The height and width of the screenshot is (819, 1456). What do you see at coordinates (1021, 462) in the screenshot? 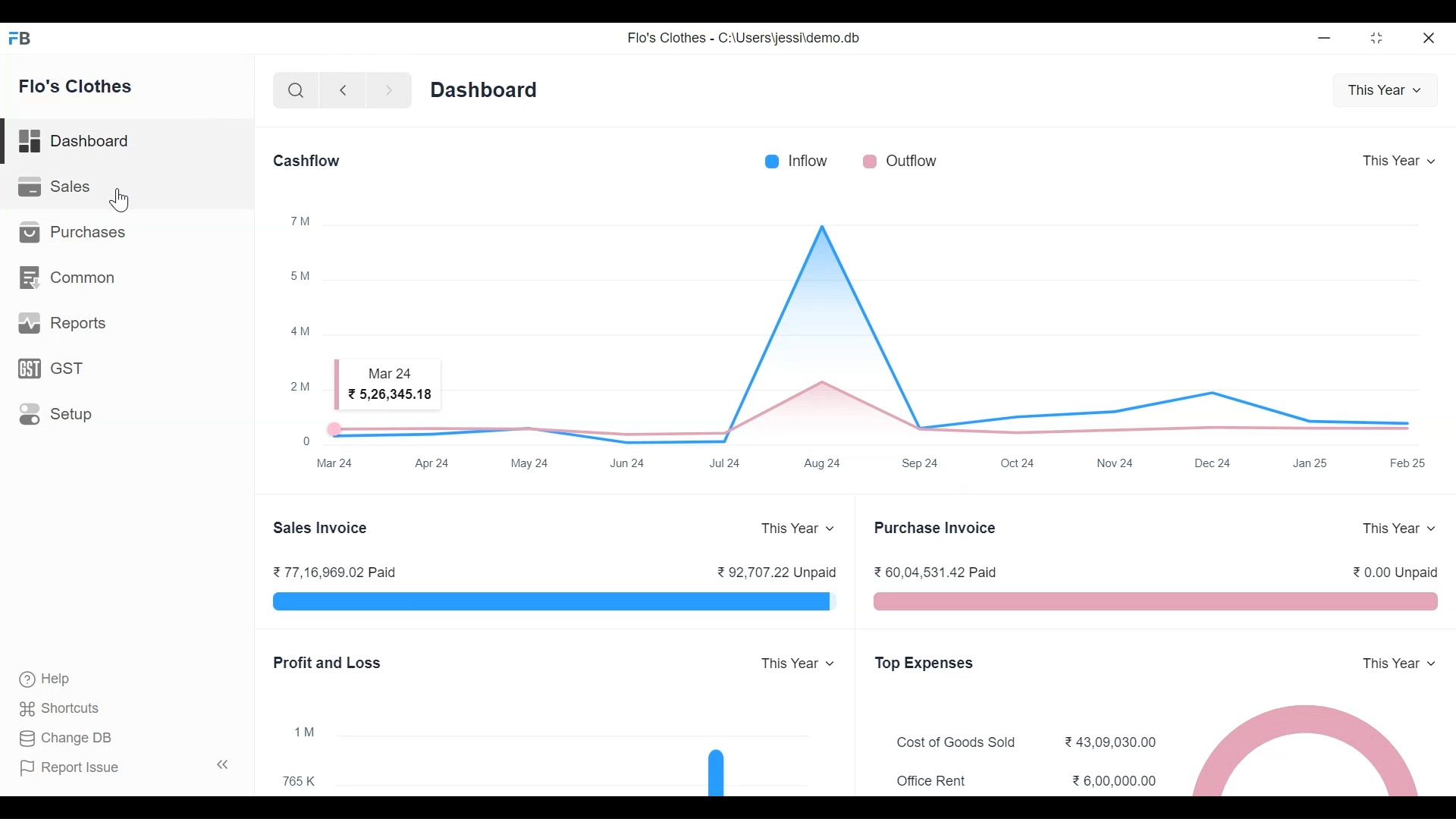
I see `Oct 24` at bounding box center [1021, 462].